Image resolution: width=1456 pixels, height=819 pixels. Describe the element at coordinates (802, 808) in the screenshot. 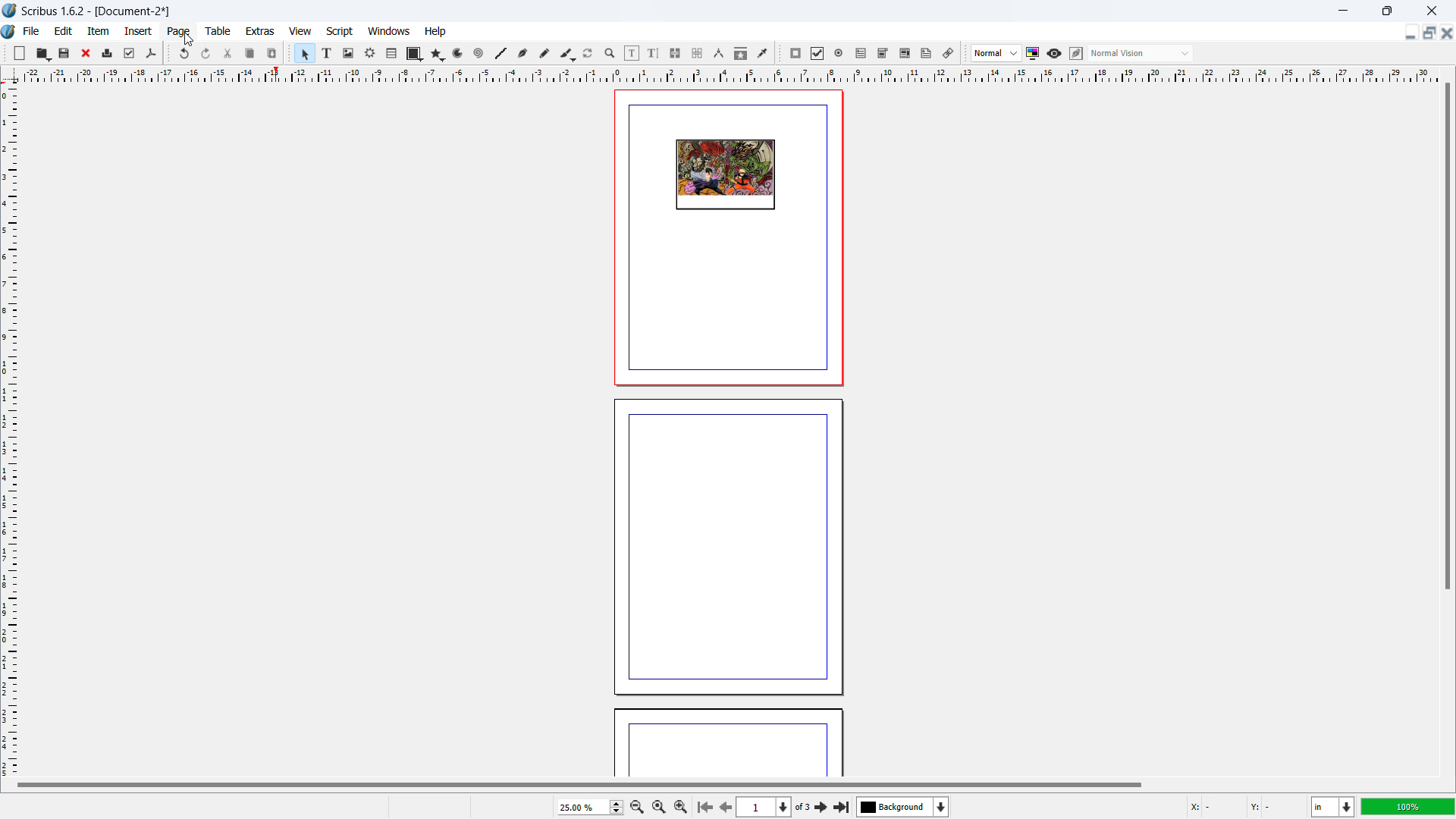

I see `of 3` at that location.